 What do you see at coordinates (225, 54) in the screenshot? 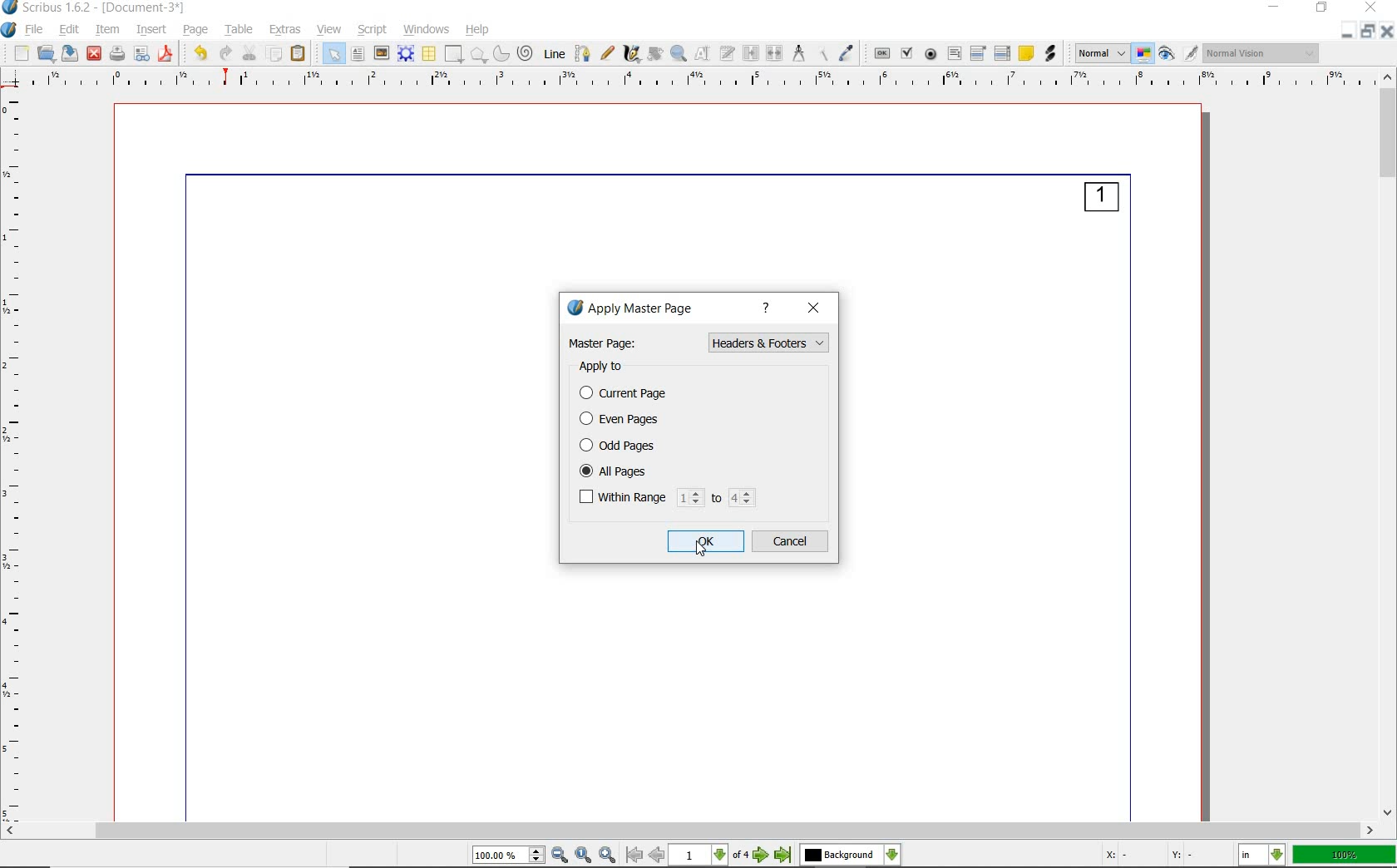
I see `redo` at bounding box center [225, 54].